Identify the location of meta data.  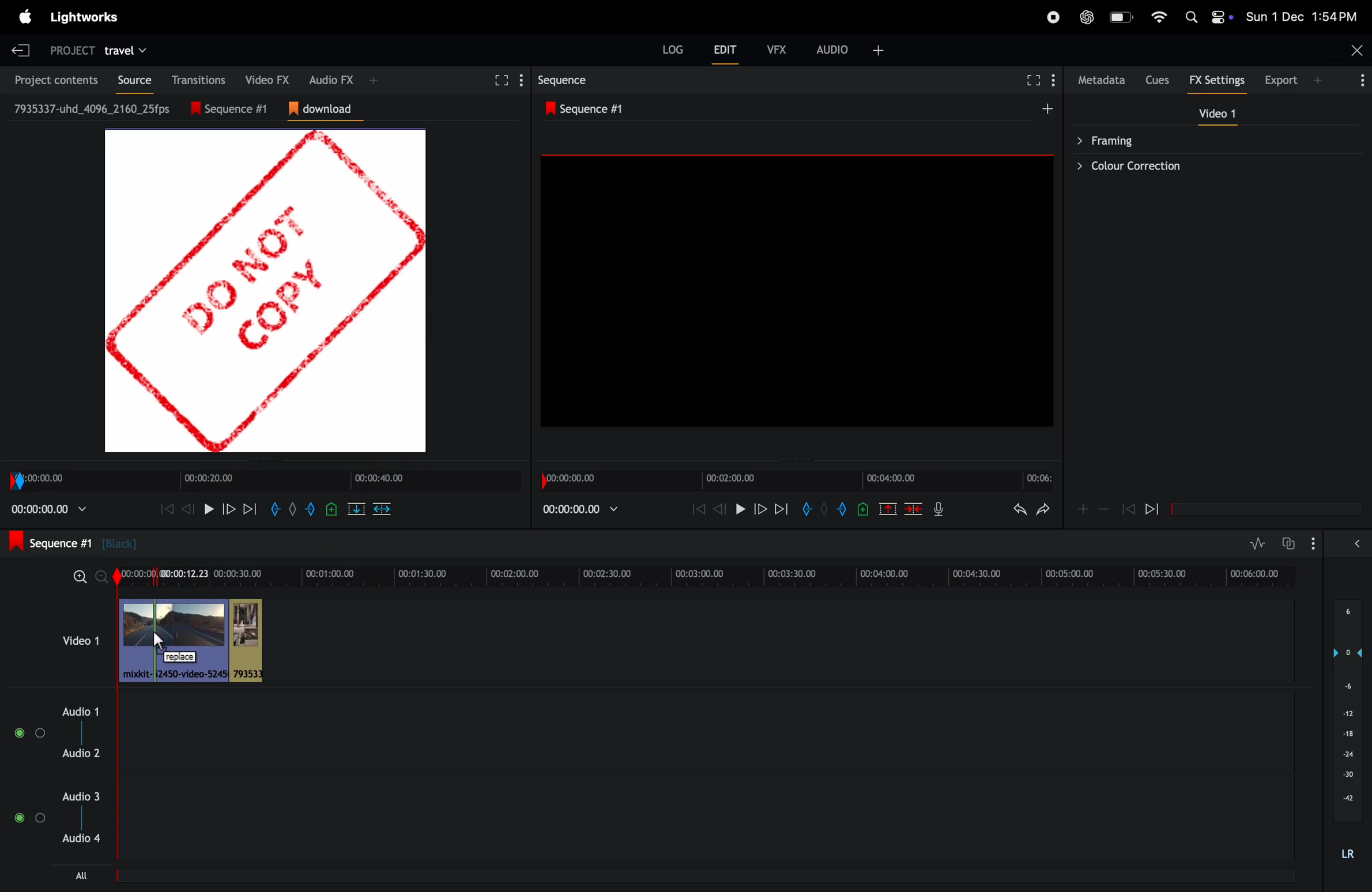
(1102, 80).